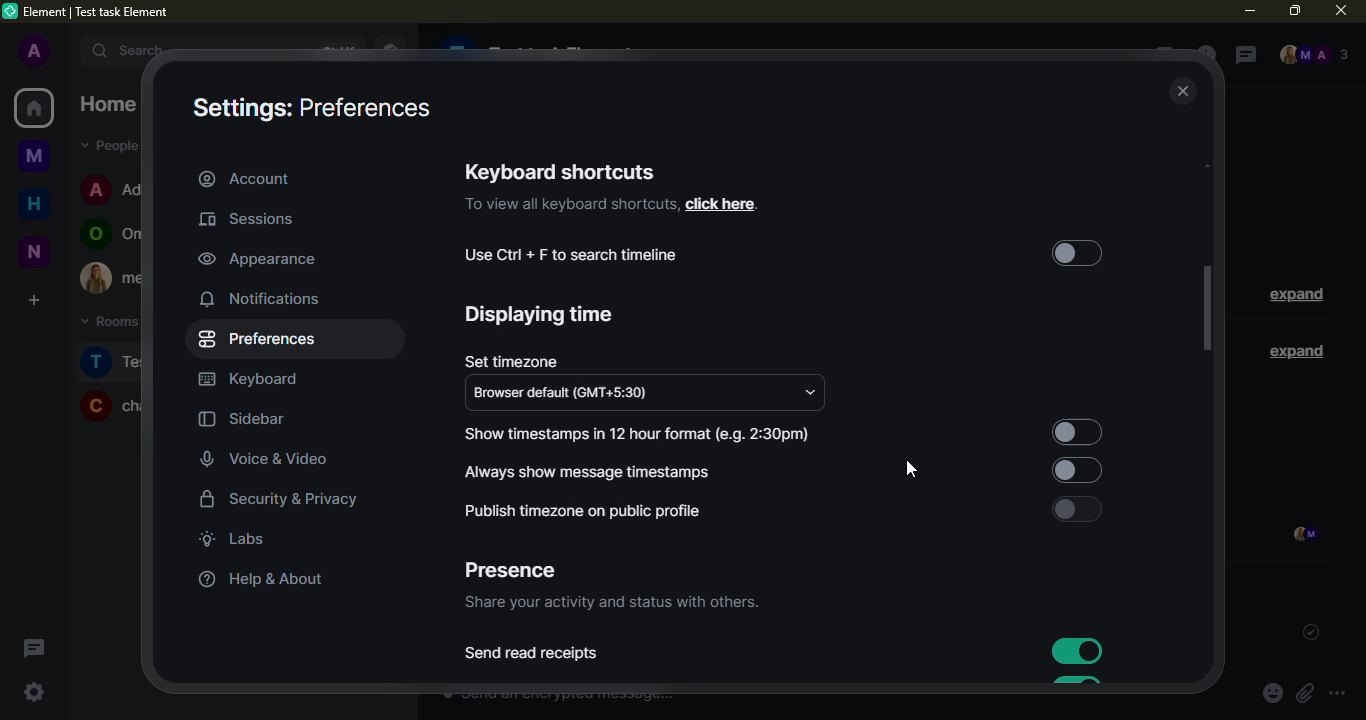  What do you see at coordinates (569, 394) in the screenshot?
I see `browser default` at bounding box center [569, 394].